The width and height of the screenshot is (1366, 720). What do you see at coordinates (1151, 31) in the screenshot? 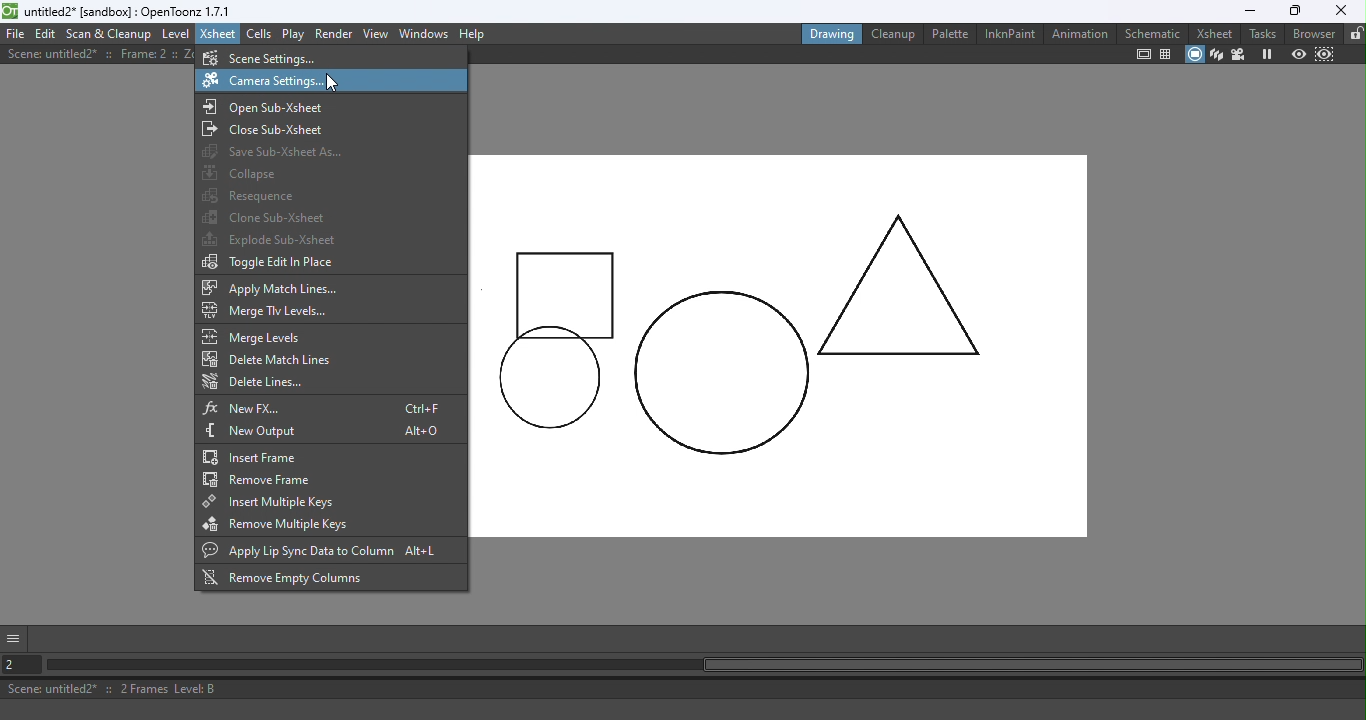
I see `Shematic` at bounding box center [1151, 31].